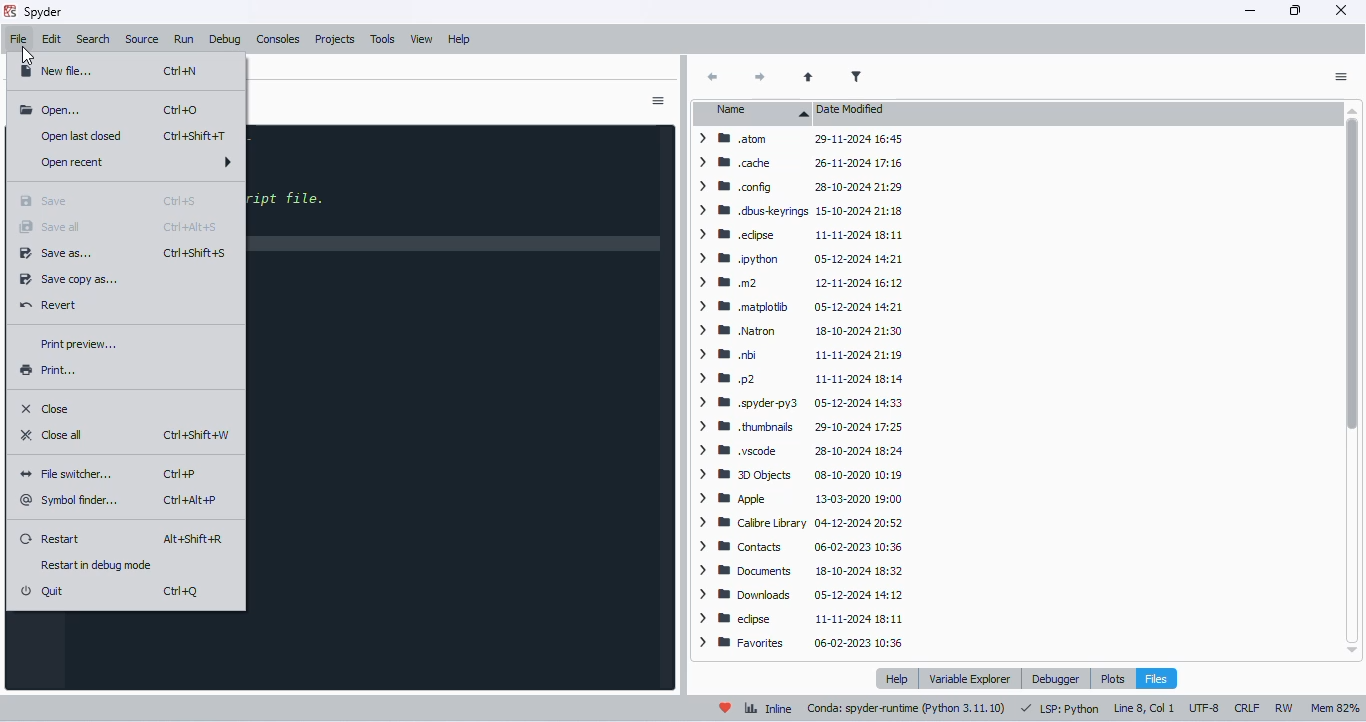 The image size is (1366, 722). I want to click on > BB edpse 11-11-2024 18:11., so click(801, 620).